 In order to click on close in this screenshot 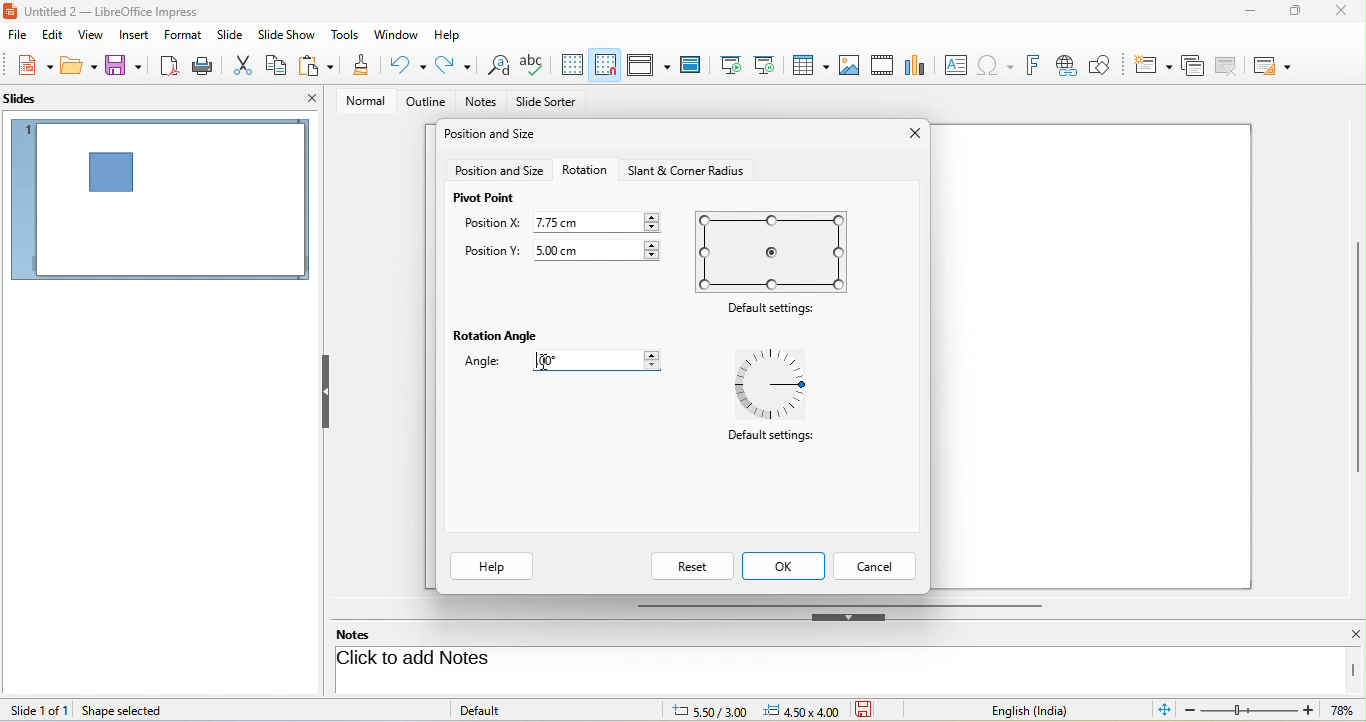, I will do `click(1339, 12)`.